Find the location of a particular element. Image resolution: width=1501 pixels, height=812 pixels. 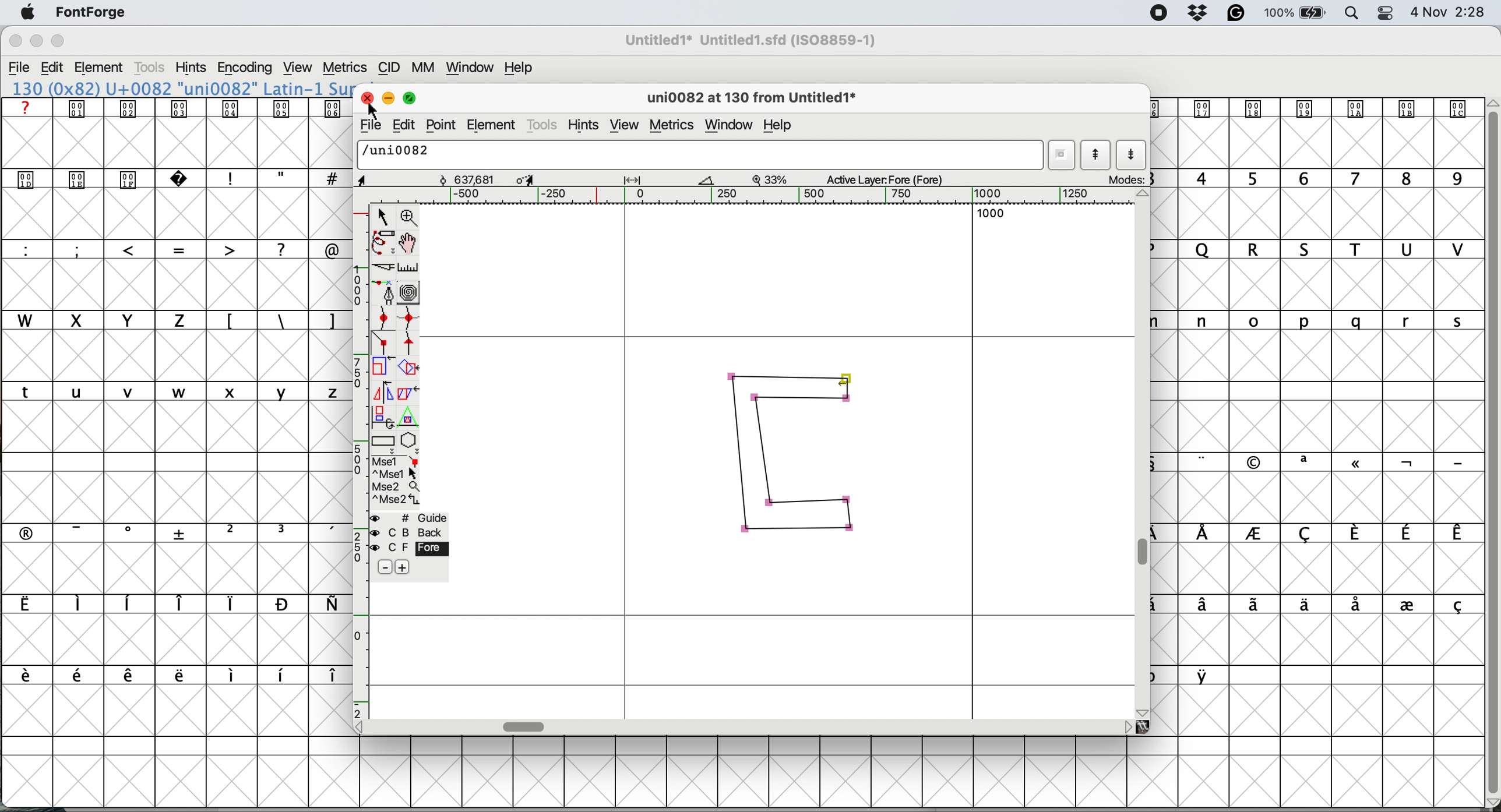

uppercase letters is located at coordinates (1325, 249).